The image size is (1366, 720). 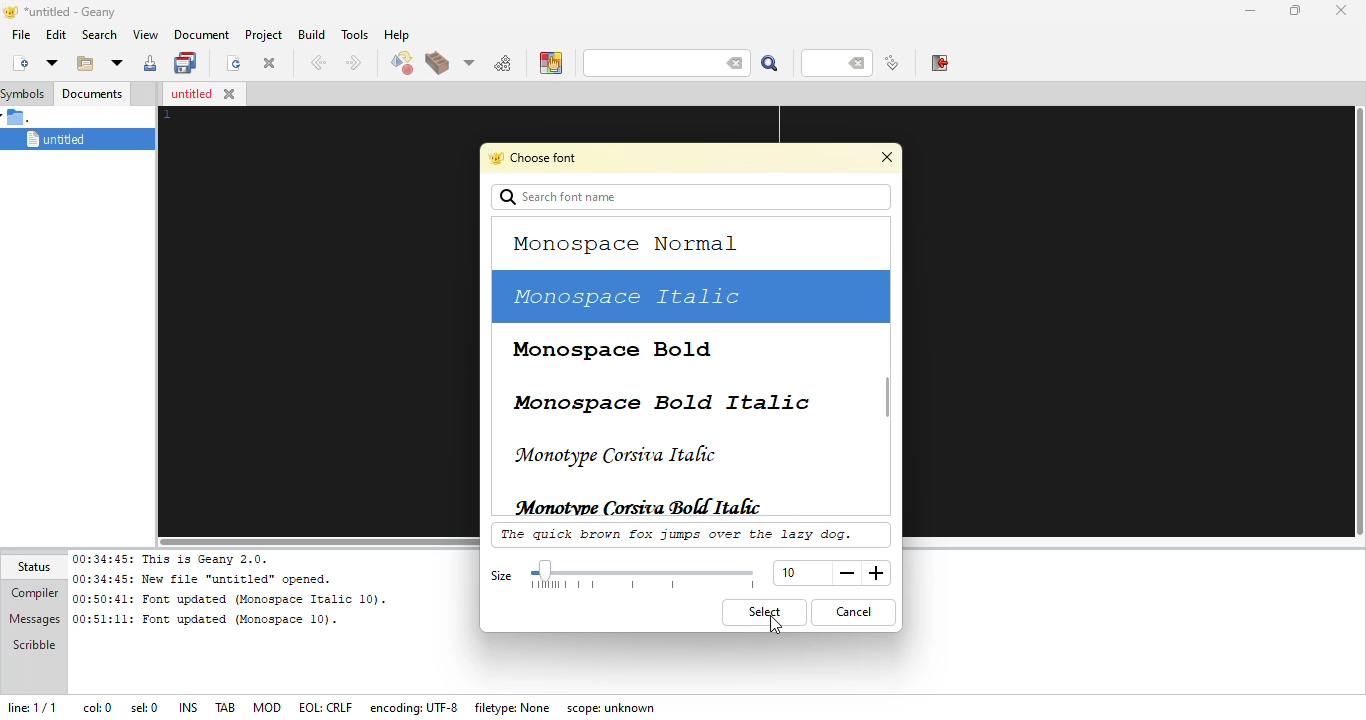 I want to click on less, so click(x=847, y=573).